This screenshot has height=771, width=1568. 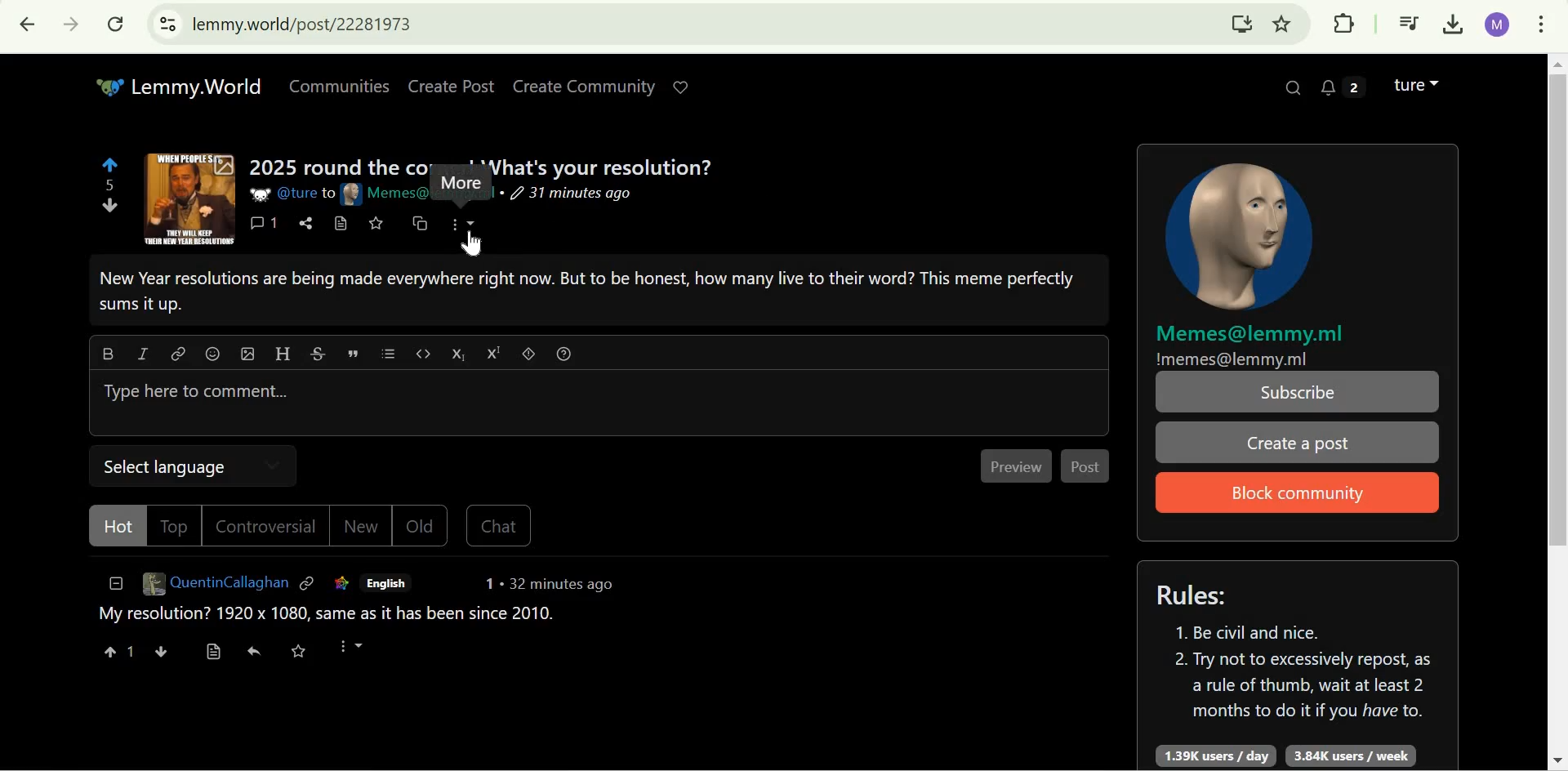 I want to click on 31 minutes ago, so click(x=577, y=192).